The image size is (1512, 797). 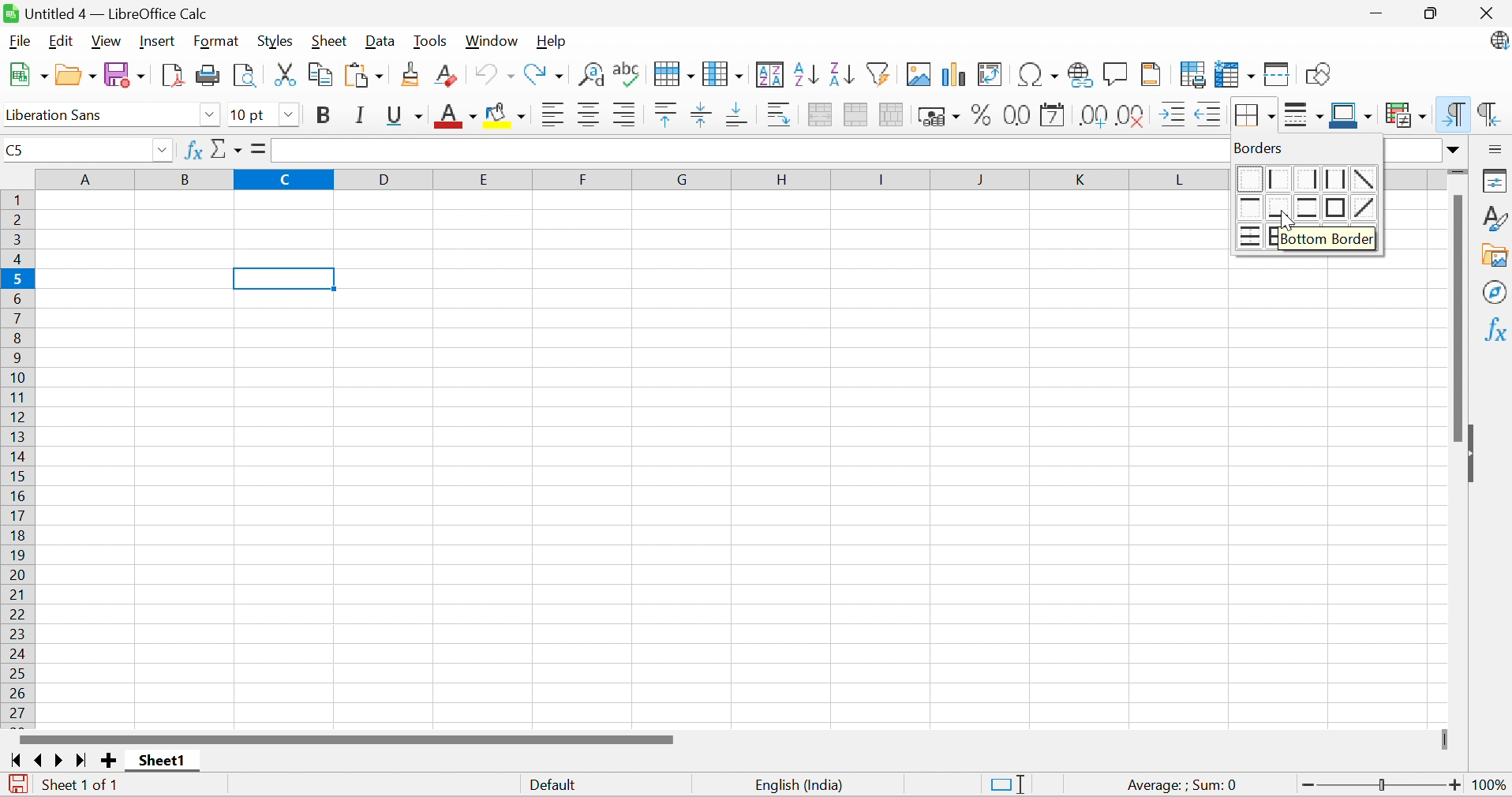 What do you see at coordinates (543, 77) in the screenshot?
I see `Redo` at bounding box center [543, 77].